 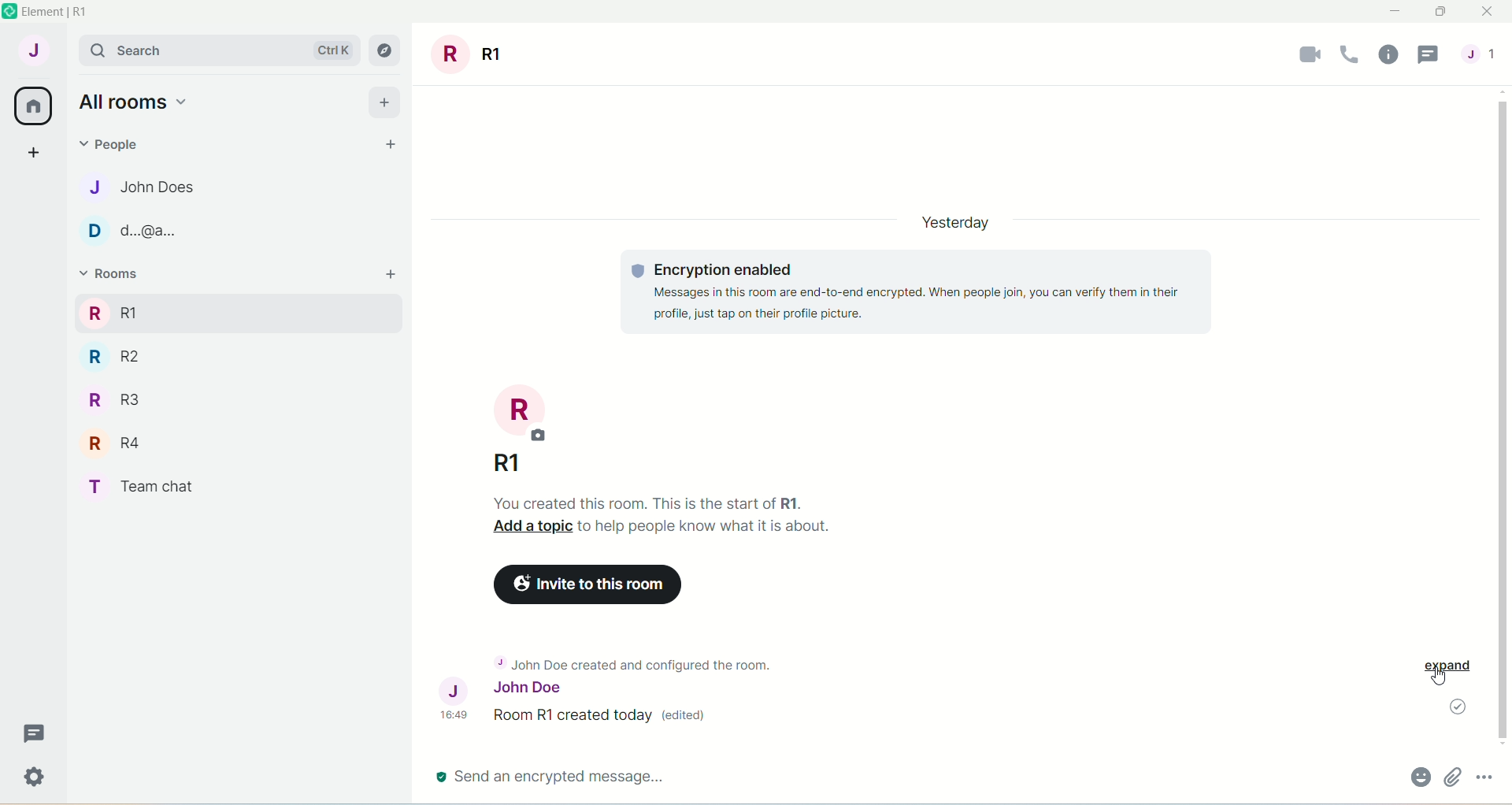 I want to click on Message Read , so click(x=1455, y=709).